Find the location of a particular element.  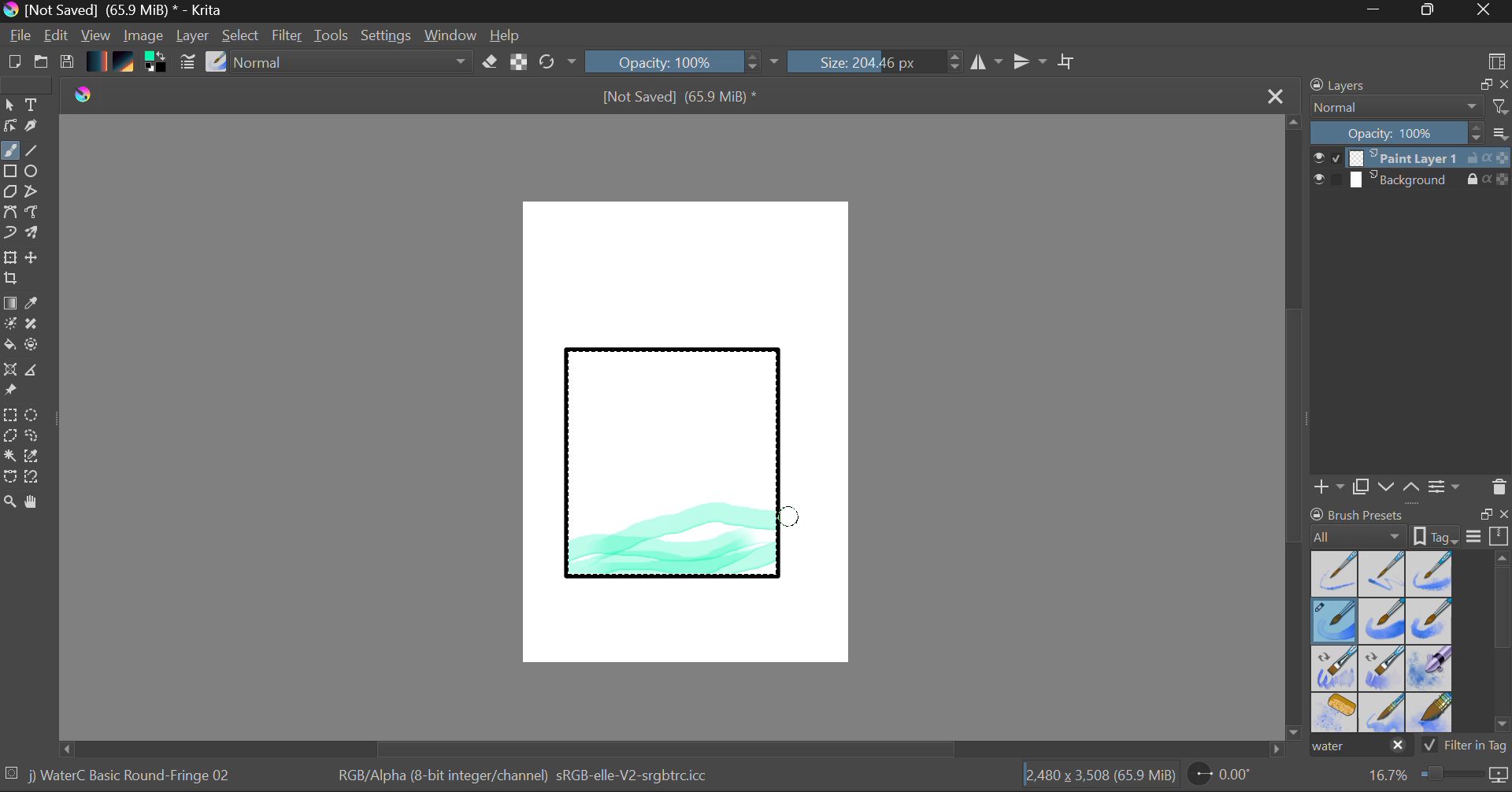

Bezier Curve is located at coordinates (9, 213).